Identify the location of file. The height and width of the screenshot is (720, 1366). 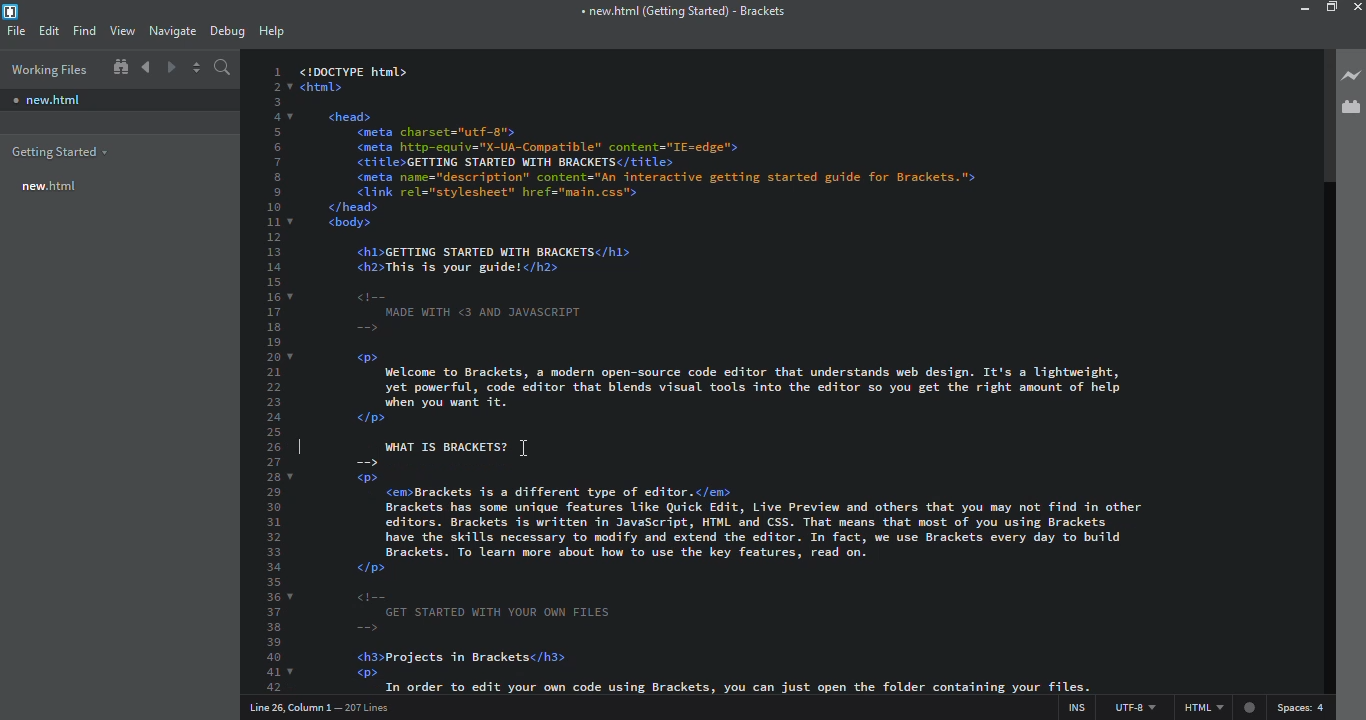
(17, 30).